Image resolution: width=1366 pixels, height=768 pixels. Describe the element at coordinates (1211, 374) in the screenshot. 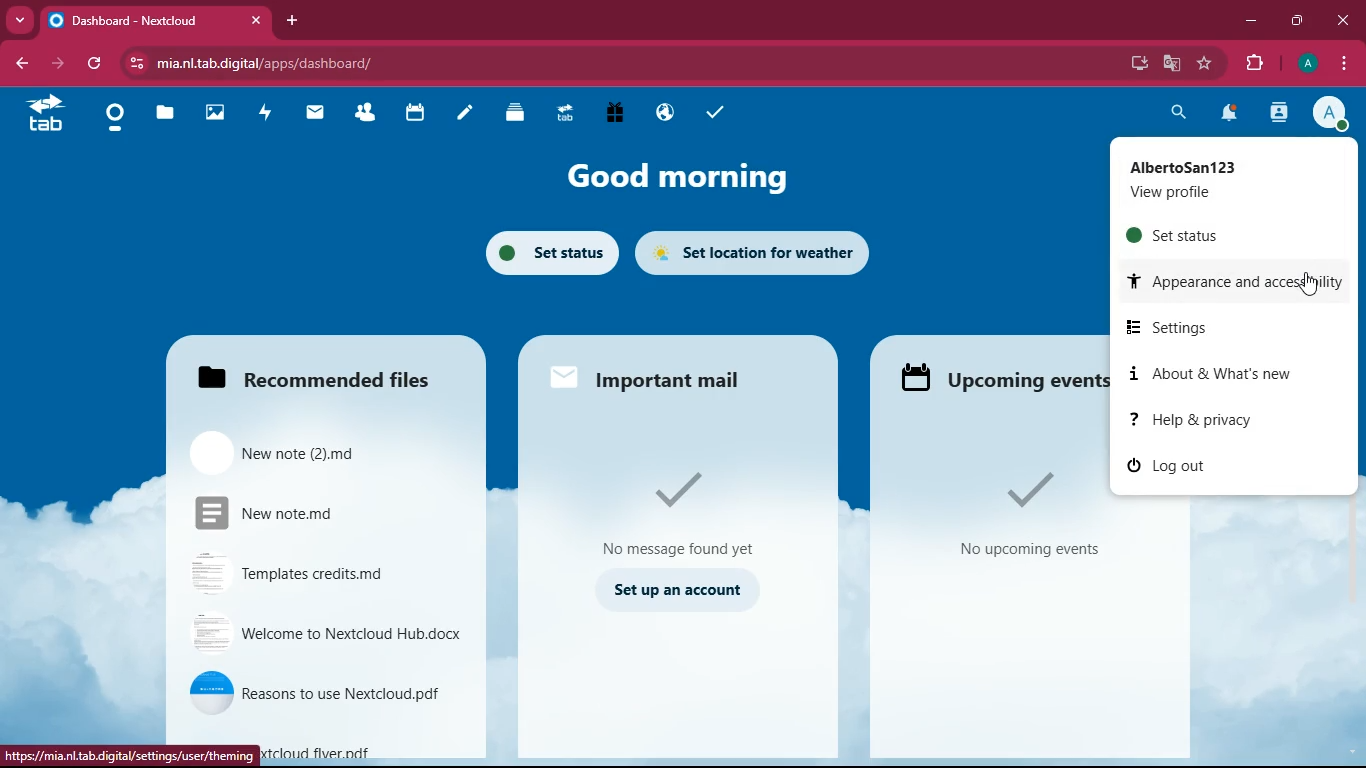

I see `about` at that location.